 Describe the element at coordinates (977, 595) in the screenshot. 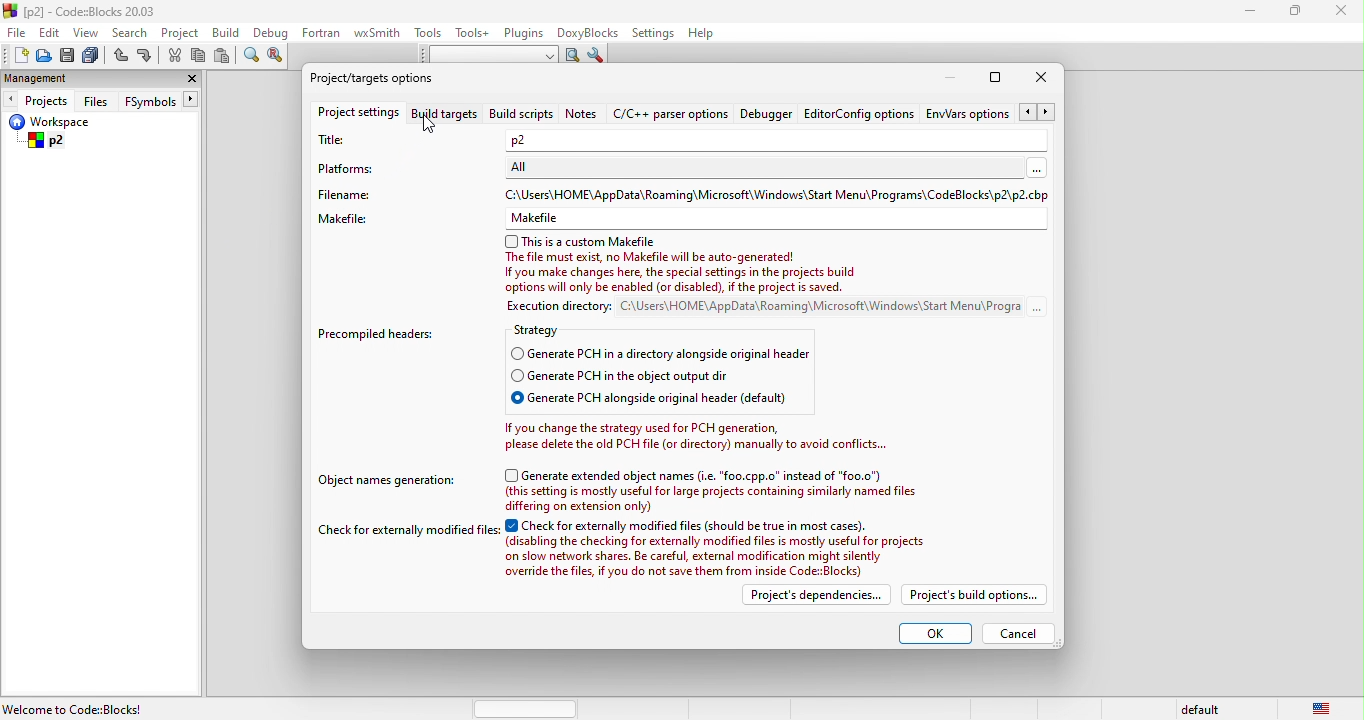

I see `projects build options` at that location.